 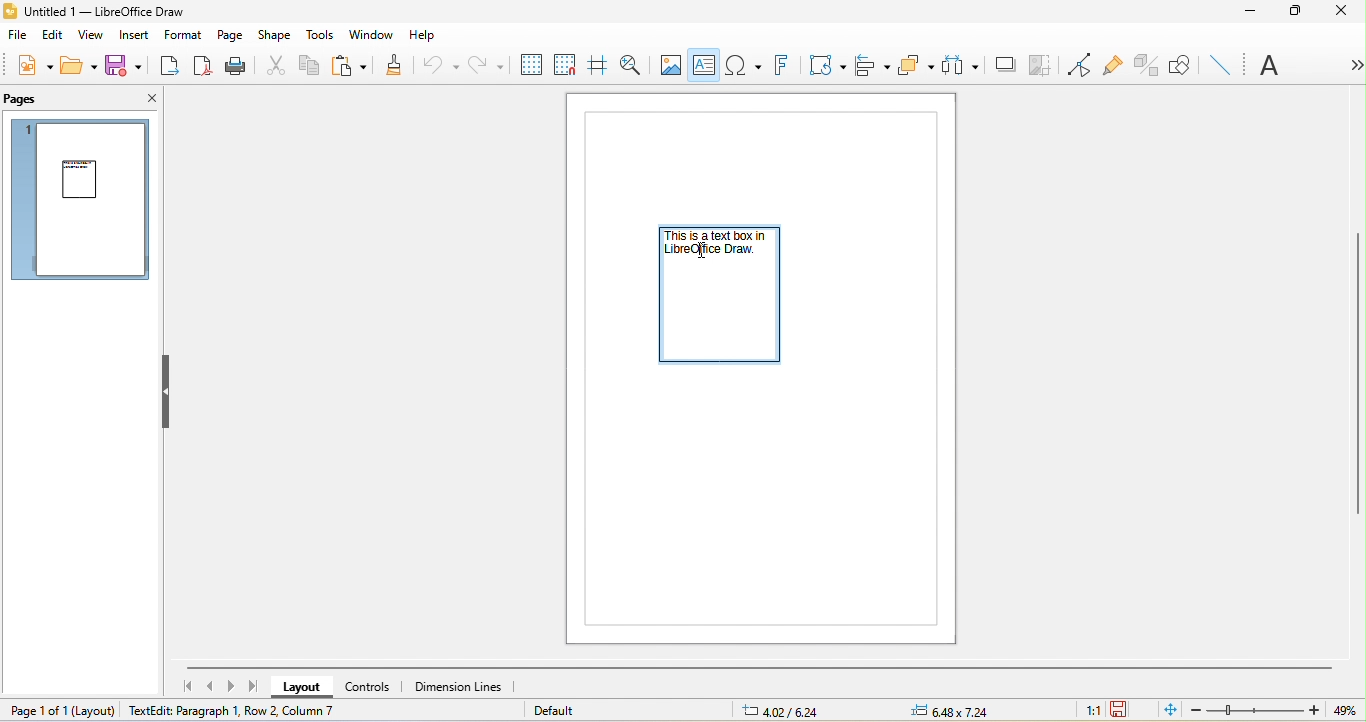 What do you see at coordinates (1341, 14) in the screenshot?
I see `close` at bounding box center [1341, 14].